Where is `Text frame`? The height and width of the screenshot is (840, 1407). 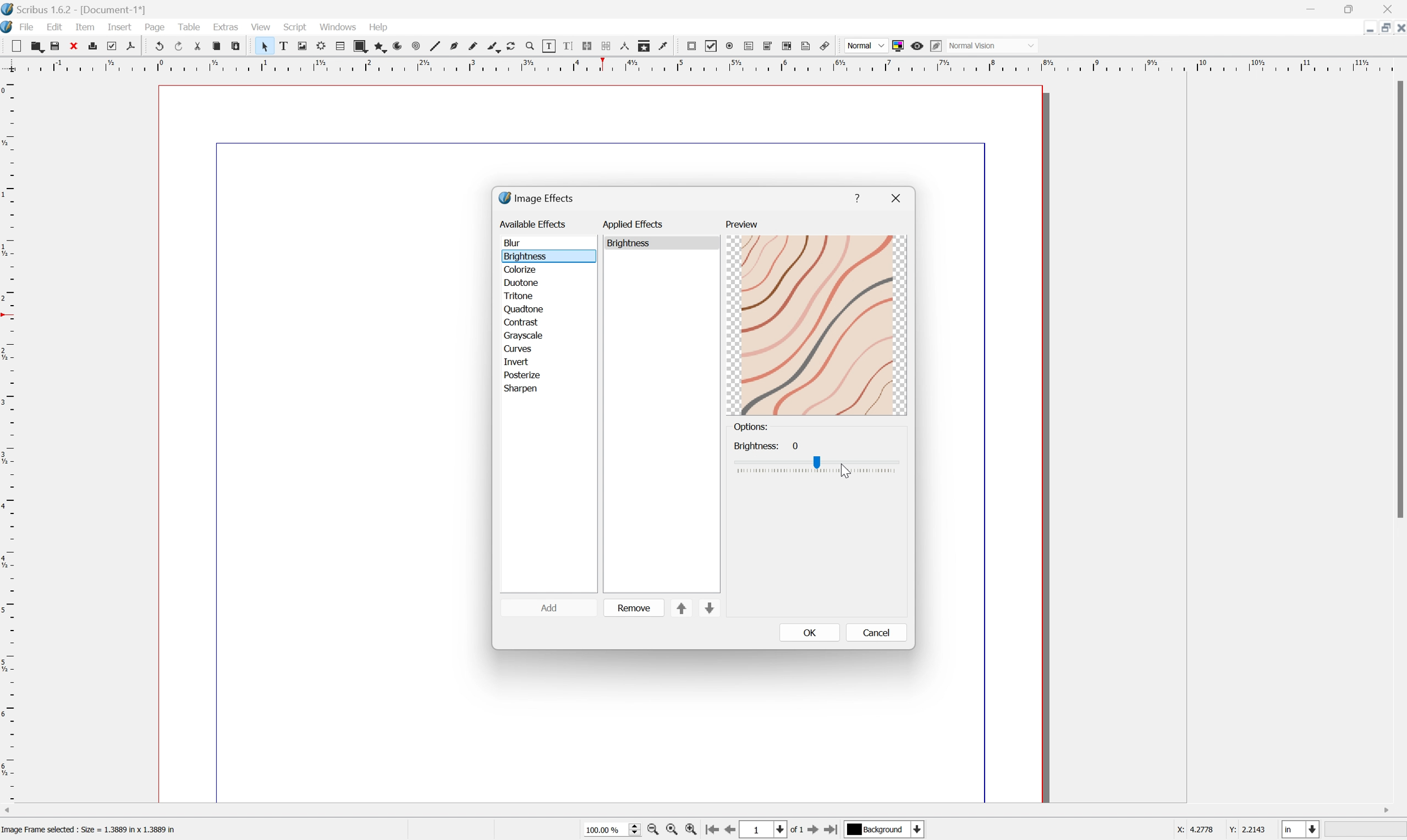
Text frame is located at coordinates (281, 46).